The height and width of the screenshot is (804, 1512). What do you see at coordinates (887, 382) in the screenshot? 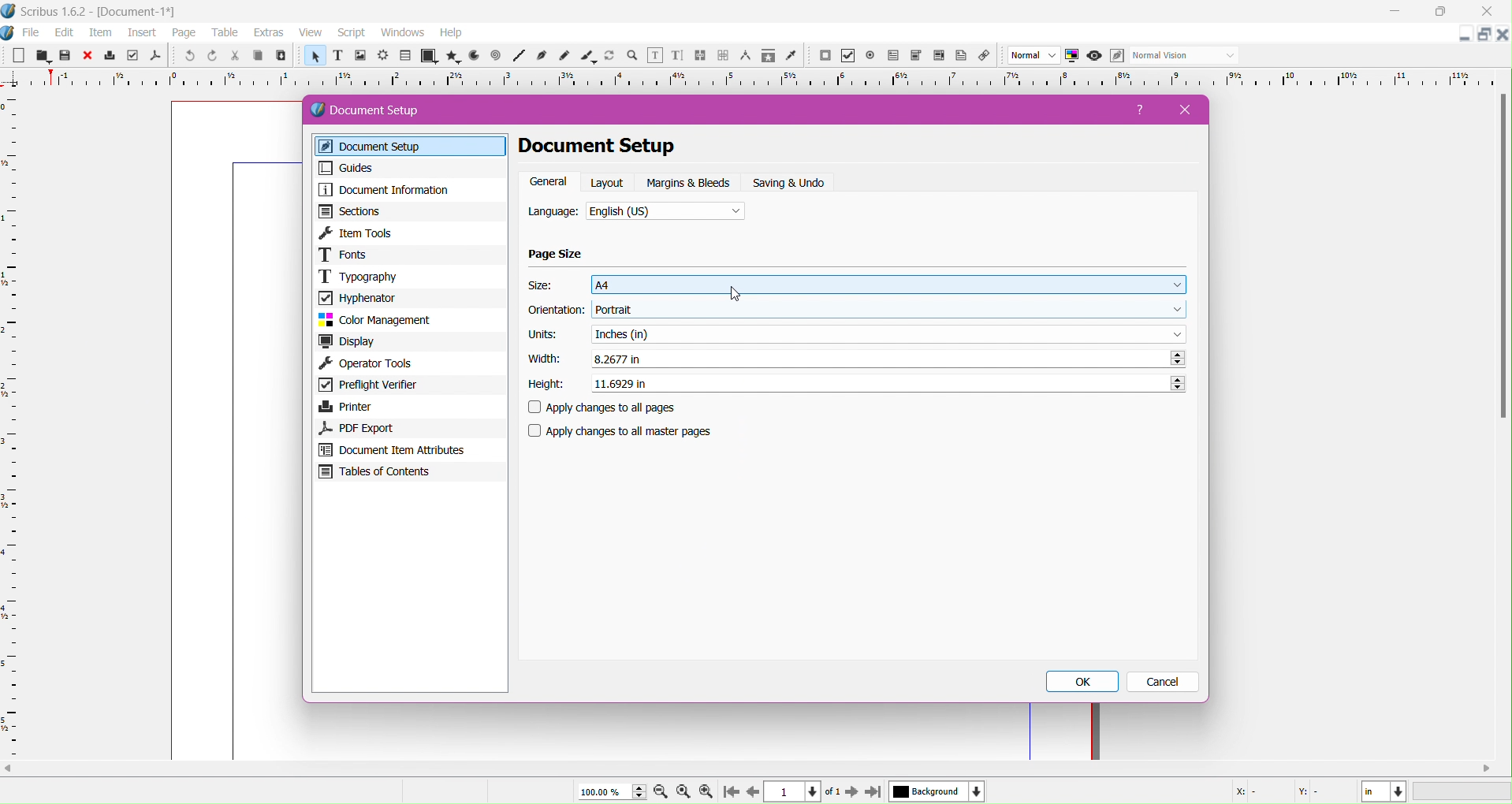
I see `Set the required Height` at bounding box center [887, 382].